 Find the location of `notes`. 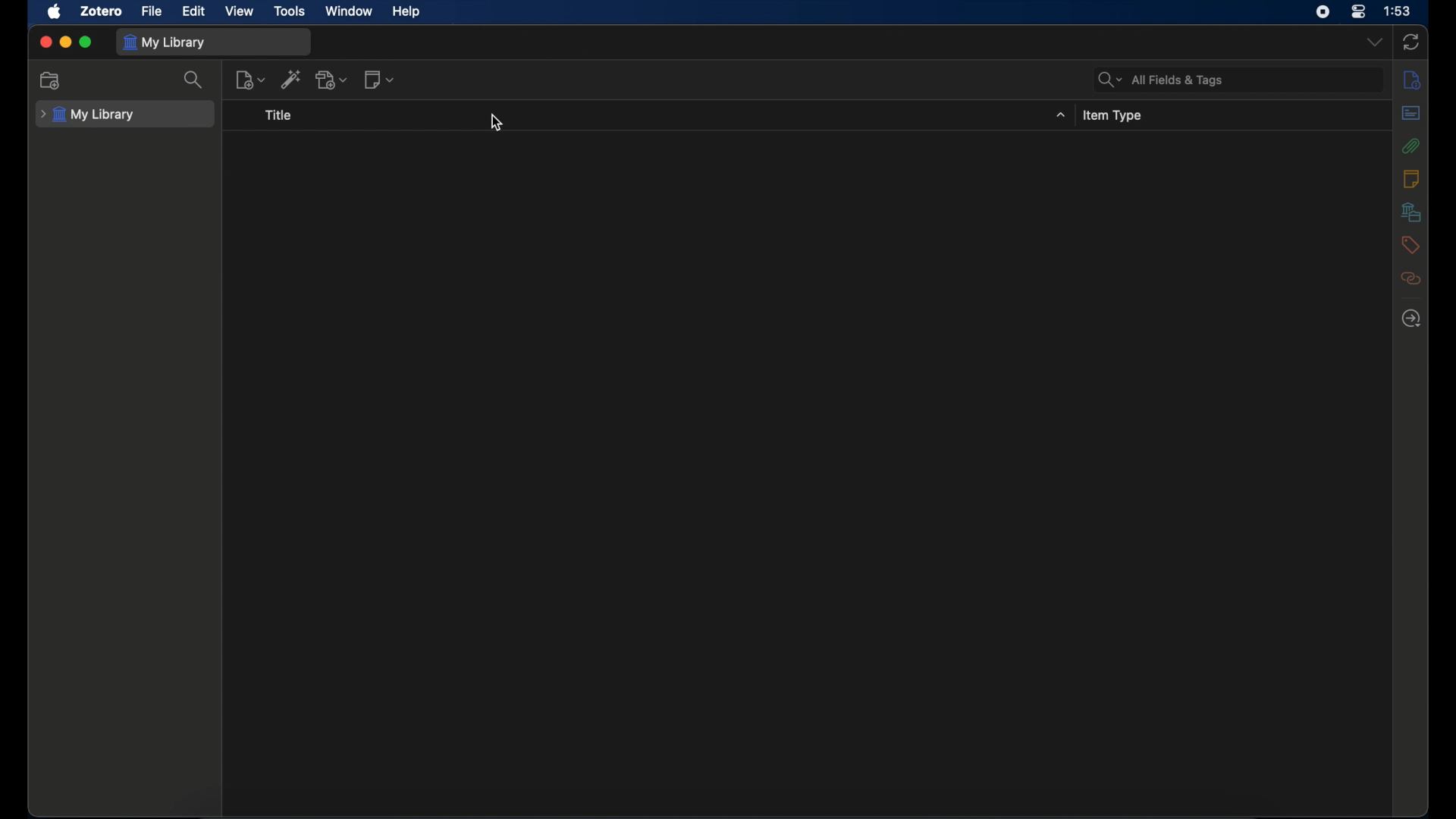

notes is located at coordinates (1410, 178).